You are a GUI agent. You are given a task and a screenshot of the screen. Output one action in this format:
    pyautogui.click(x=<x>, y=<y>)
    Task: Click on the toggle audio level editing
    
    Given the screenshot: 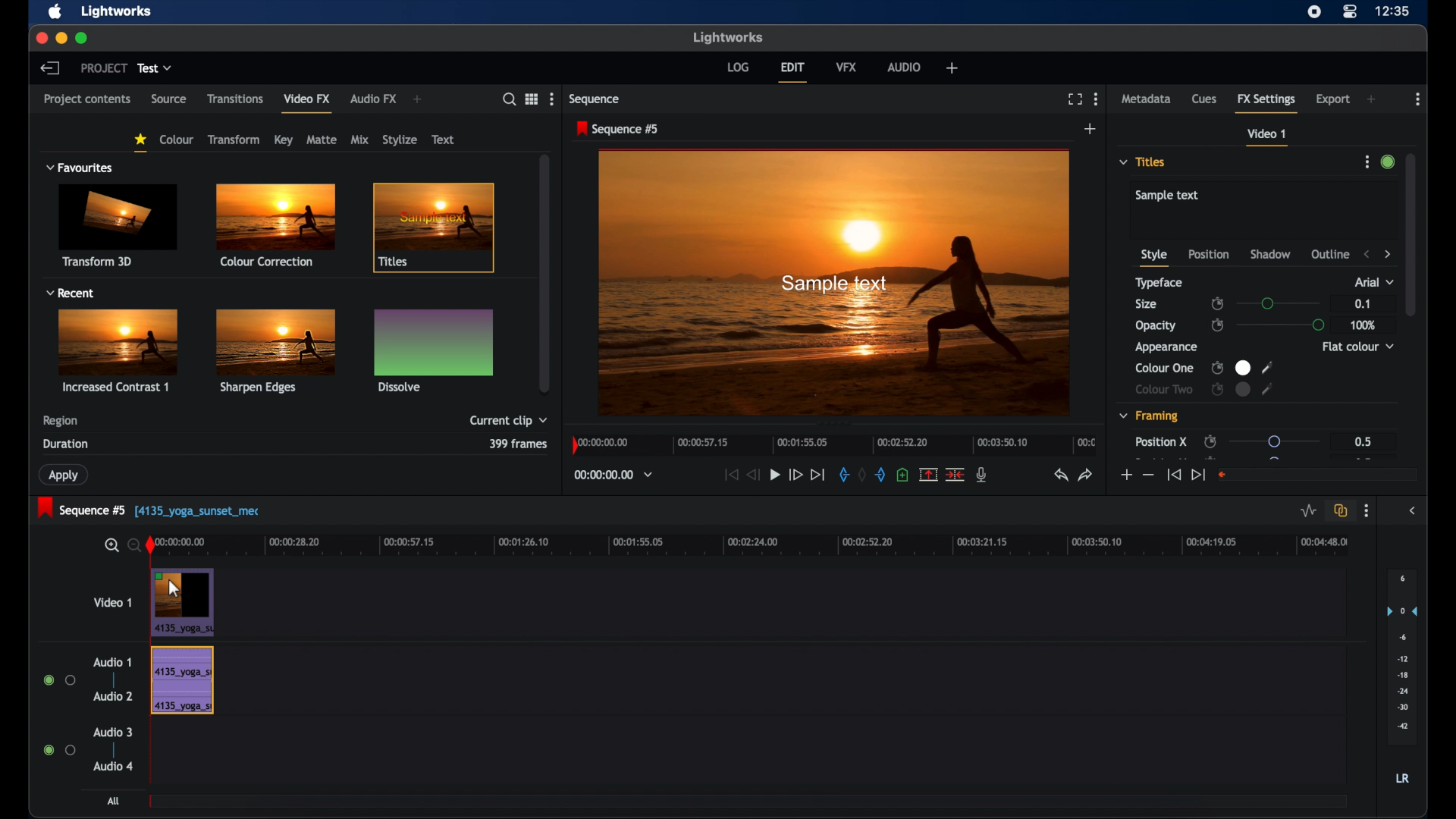 What is the action you would take?
    pyautogui.click(x=1306, y=511)
    